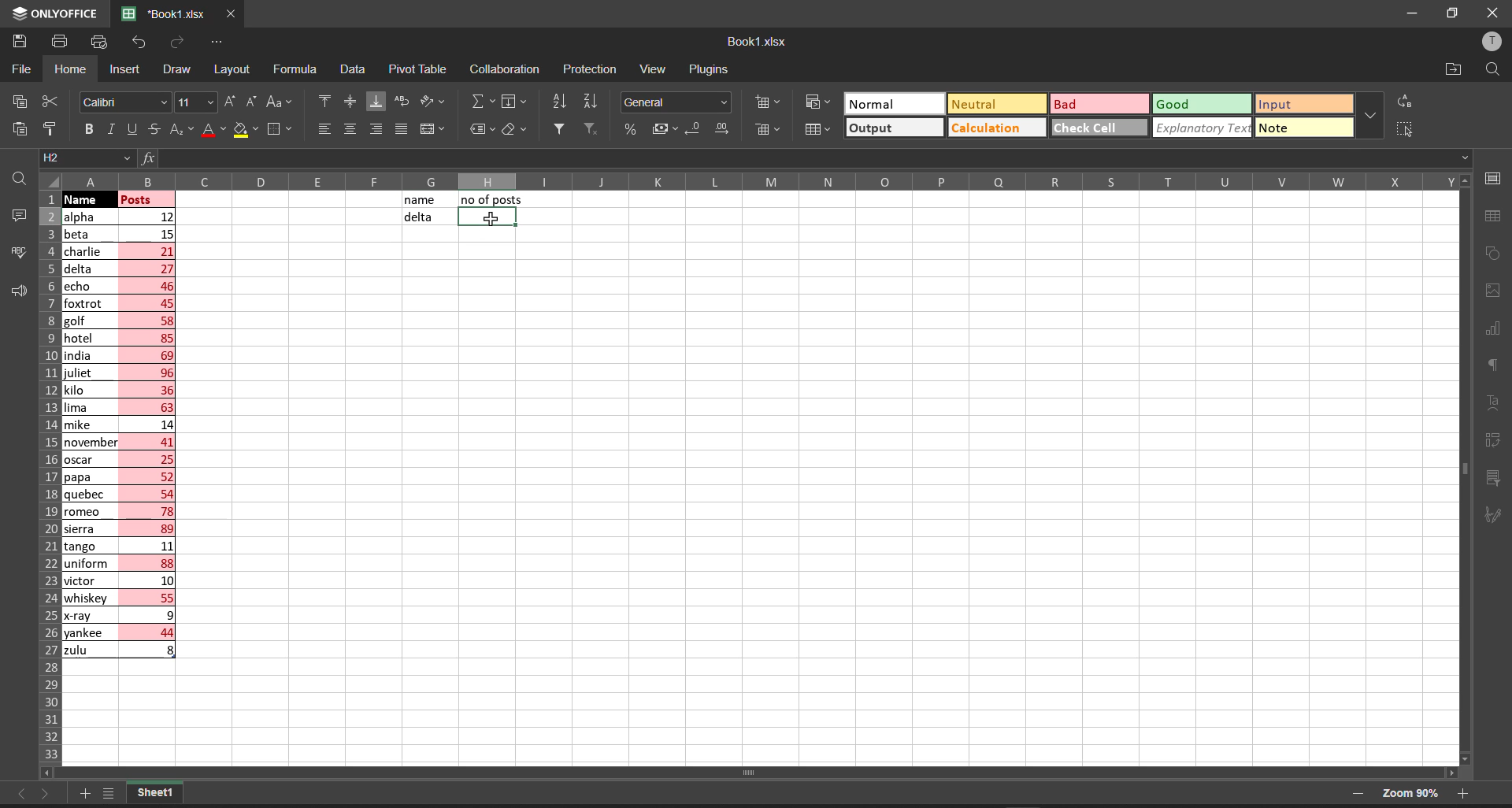 The image size is (1512, 808). What do you see at coordinates (212, 129) in the screenshot?
I see `font color` at bounding box center [212, 129].